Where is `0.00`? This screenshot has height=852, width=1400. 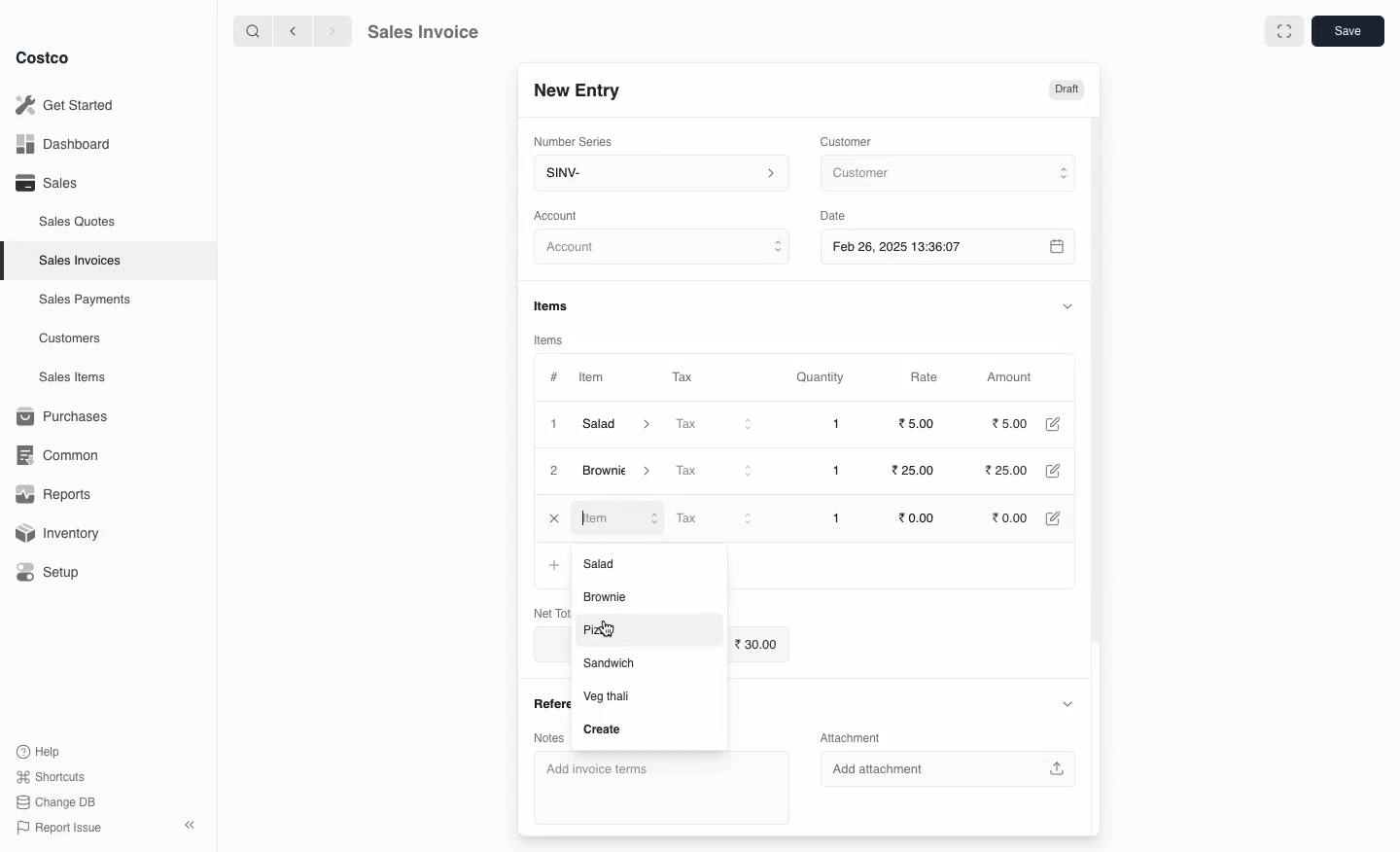
0.00 is located at coordinates (921, 516).